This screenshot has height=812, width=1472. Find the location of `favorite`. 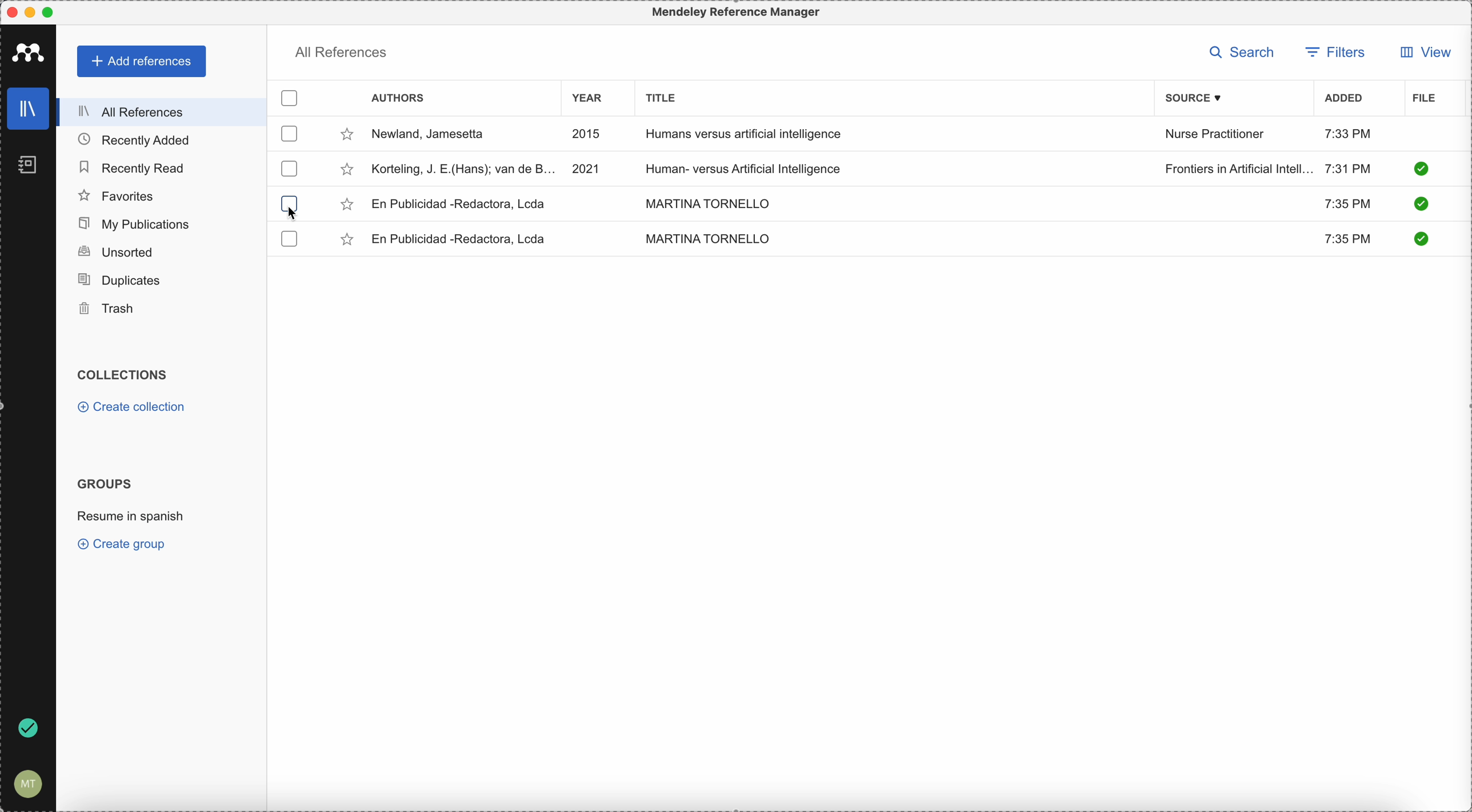

favorite is located at coordinates (346, 205).